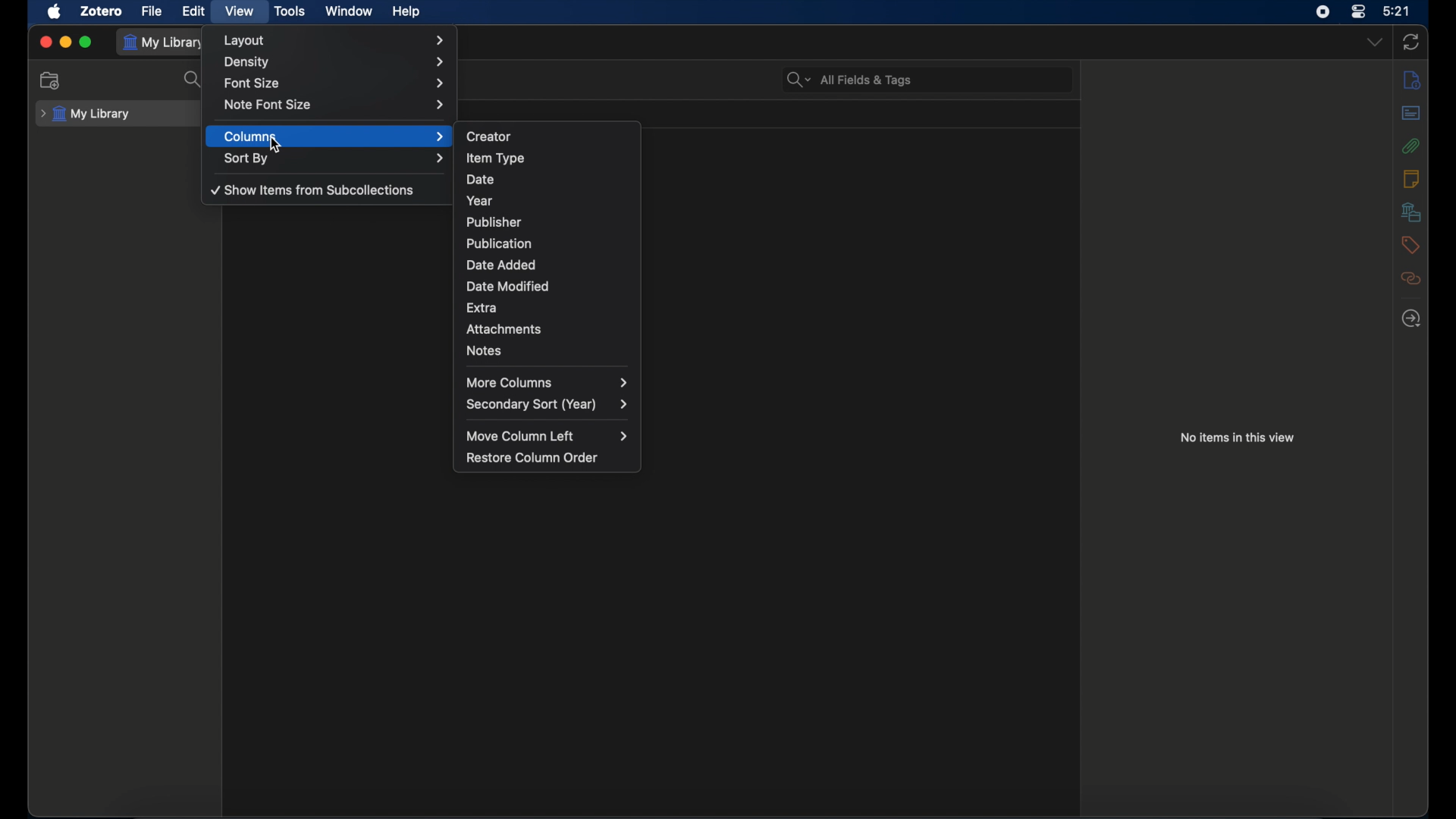 Image resolution: width=1456 pixels, height=819 pixels. What do you see at coordinates (1373, 42) in the screenshot?
I see `dropdown` at bounding box center [1373, 42].